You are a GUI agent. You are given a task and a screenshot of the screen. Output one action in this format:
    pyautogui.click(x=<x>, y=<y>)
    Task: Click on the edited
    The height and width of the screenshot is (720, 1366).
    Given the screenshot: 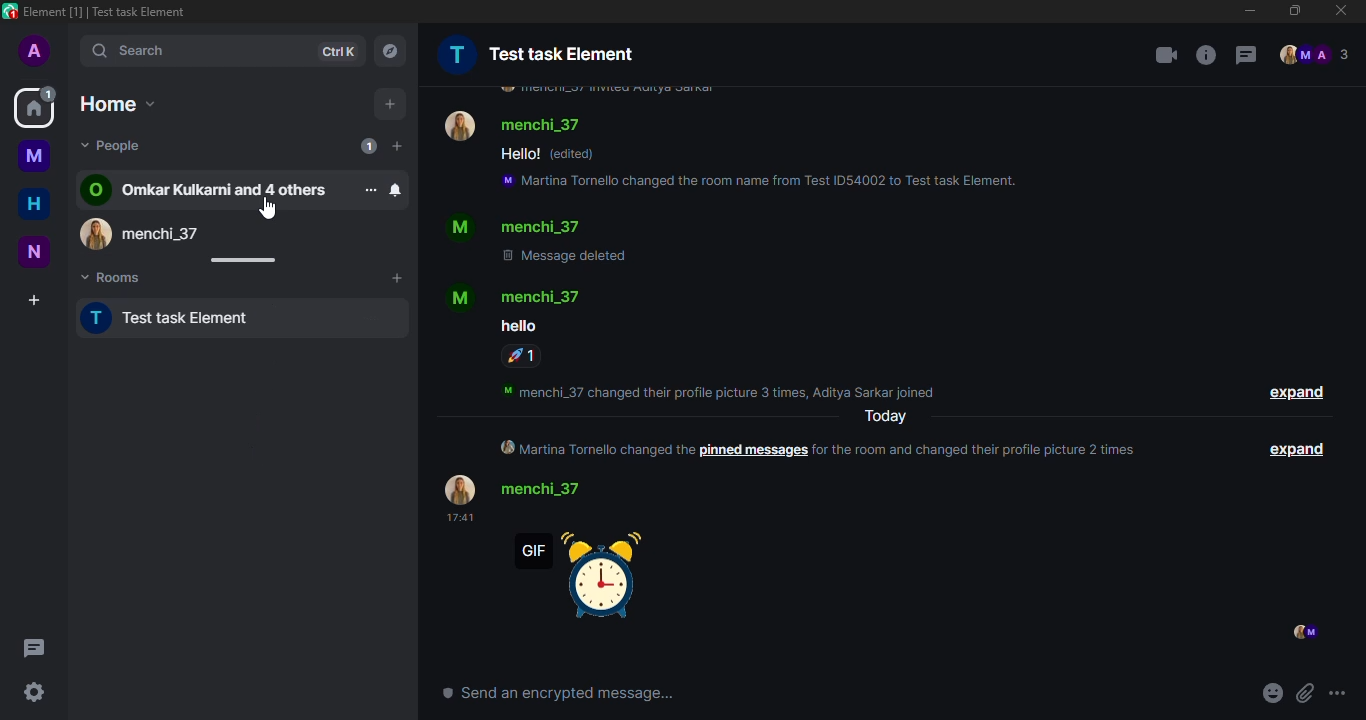 What is the action you would take?
    pyautogui.click(x=572, y=155)
    